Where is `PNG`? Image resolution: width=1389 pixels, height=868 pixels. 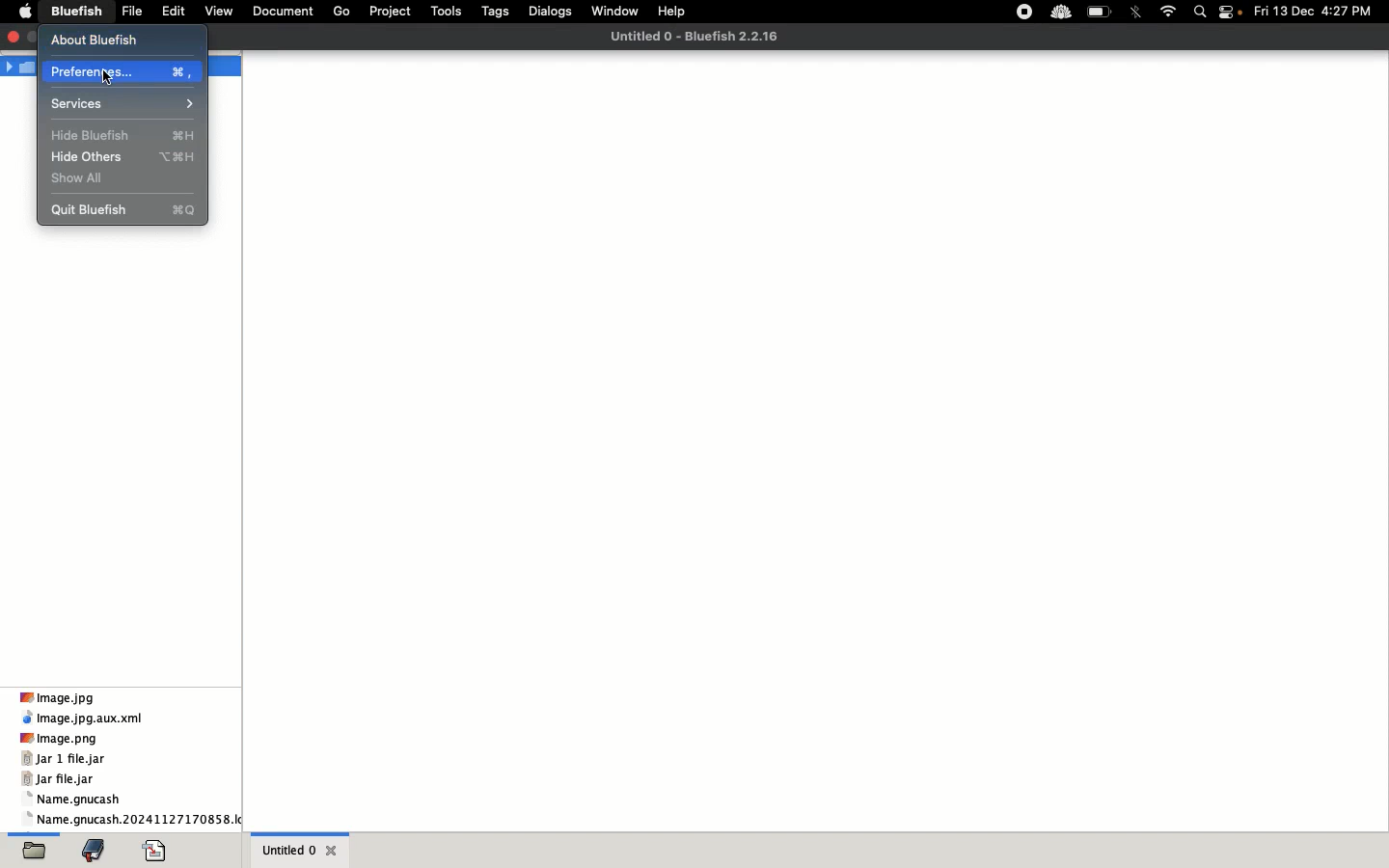 PNG is located at coordinates (61, 738).